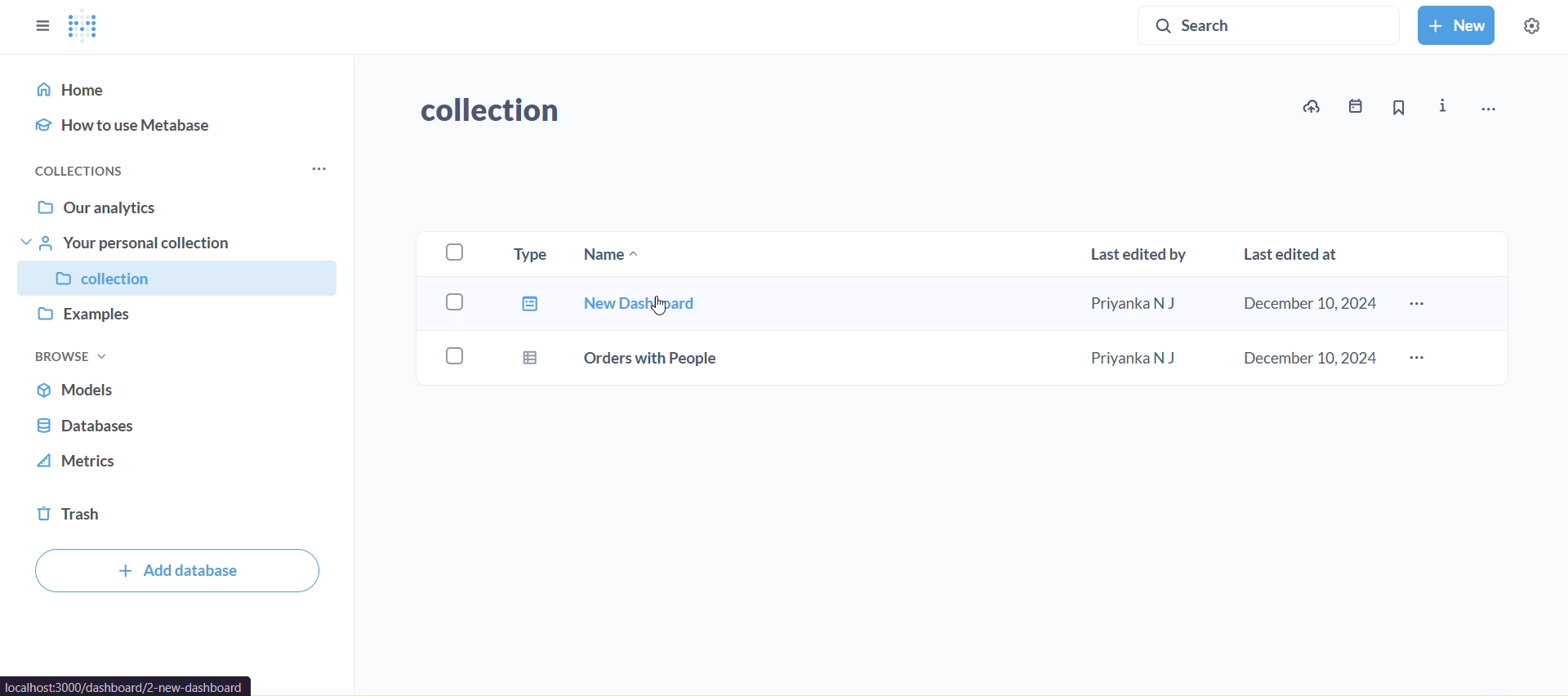 The width and height of the screenshot is (1568, 696). What do you see at coordinates (1416, 304) in the screenshot?
I see `more` at bounding box center [1416, 304].